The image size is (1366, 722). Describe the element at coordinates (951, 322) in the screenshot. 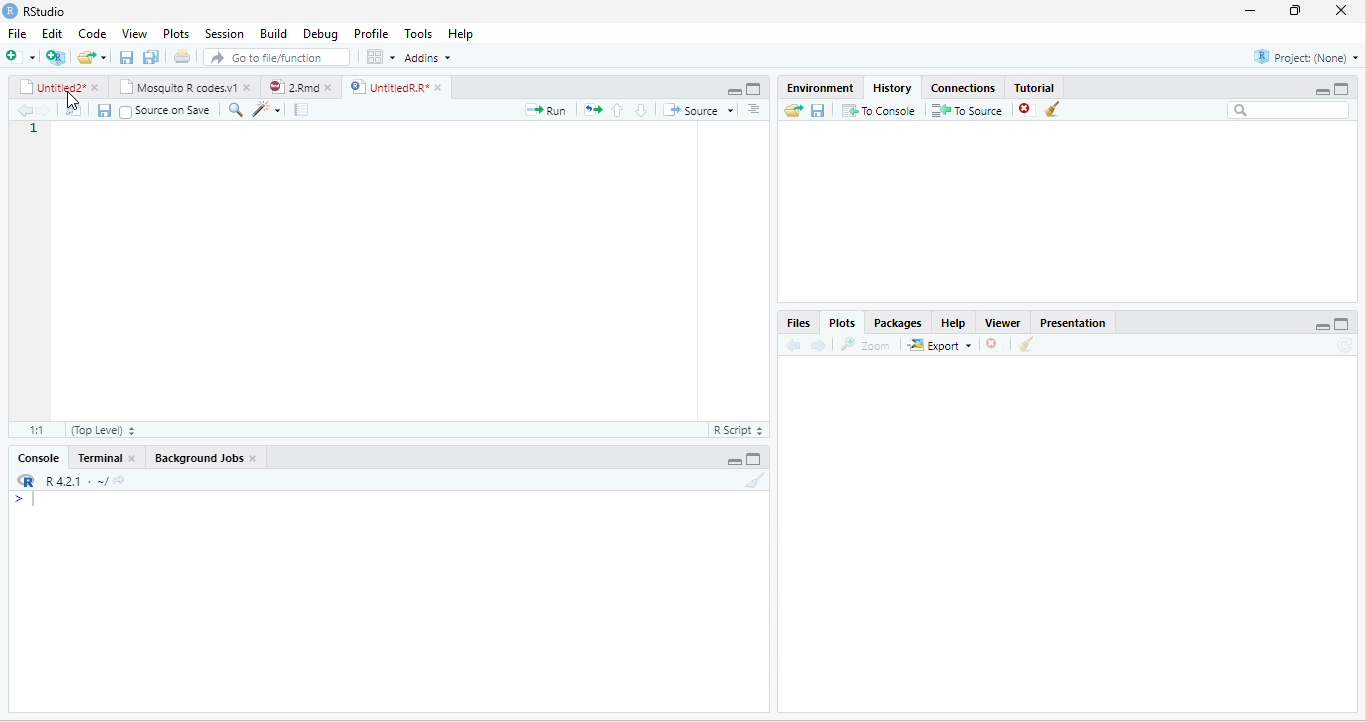

I see `help` at that location.